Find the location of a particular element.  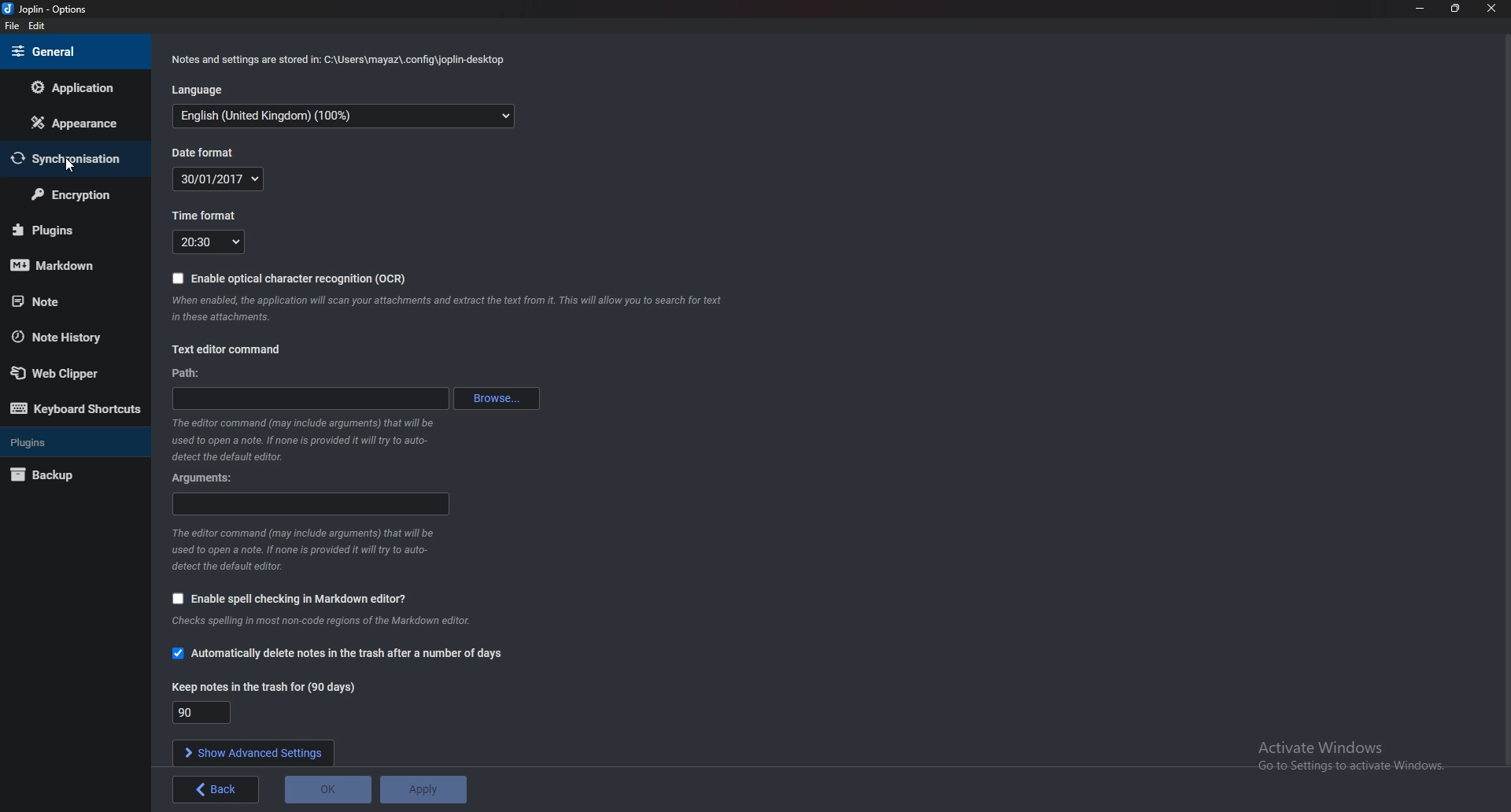

The editor command (may include arguments) that will be used to open note if note is provided it will try to detect the default editor is located at coordinates (302, 550).